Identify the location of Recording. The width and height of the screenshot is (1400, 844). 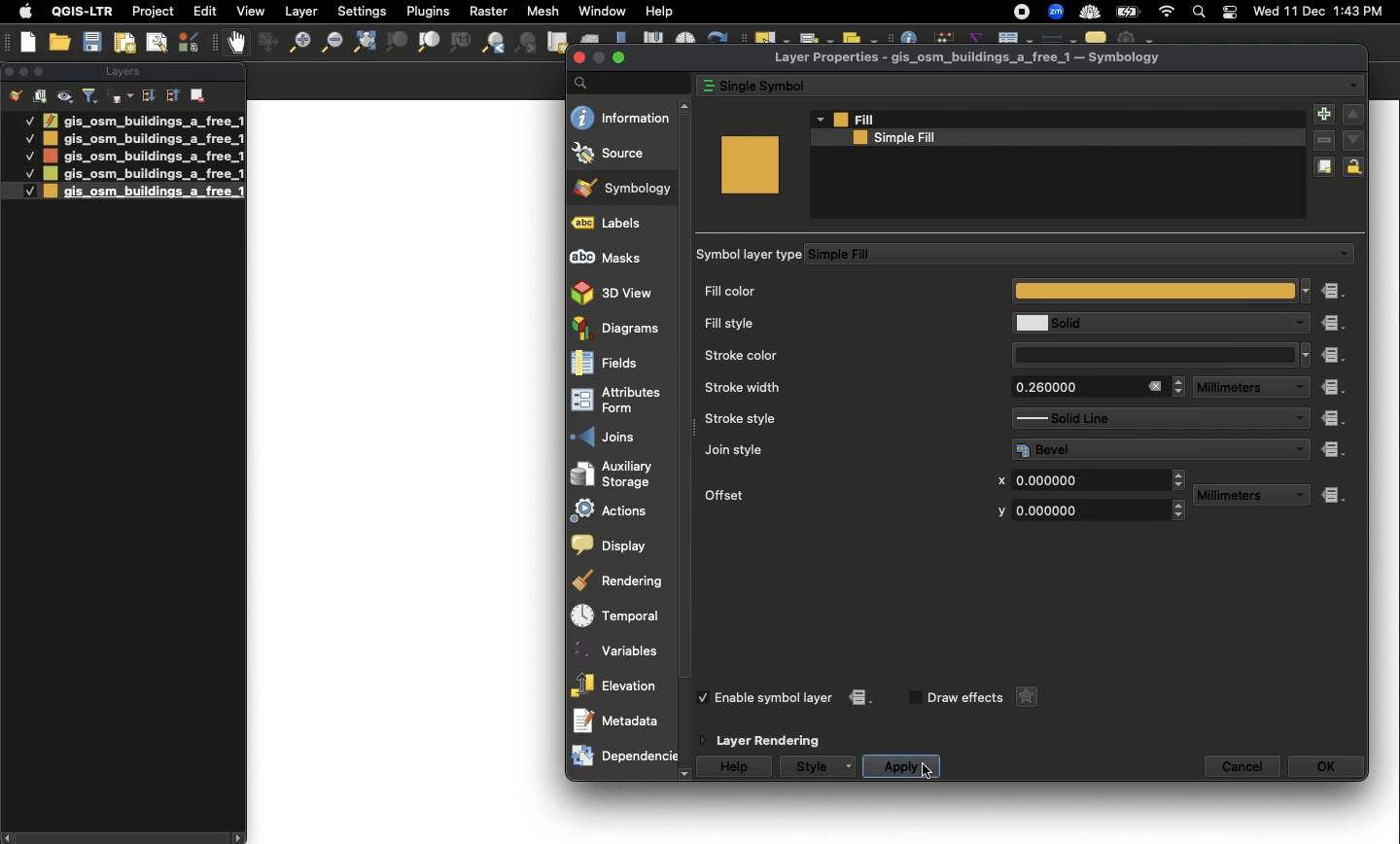
(1022, 13).